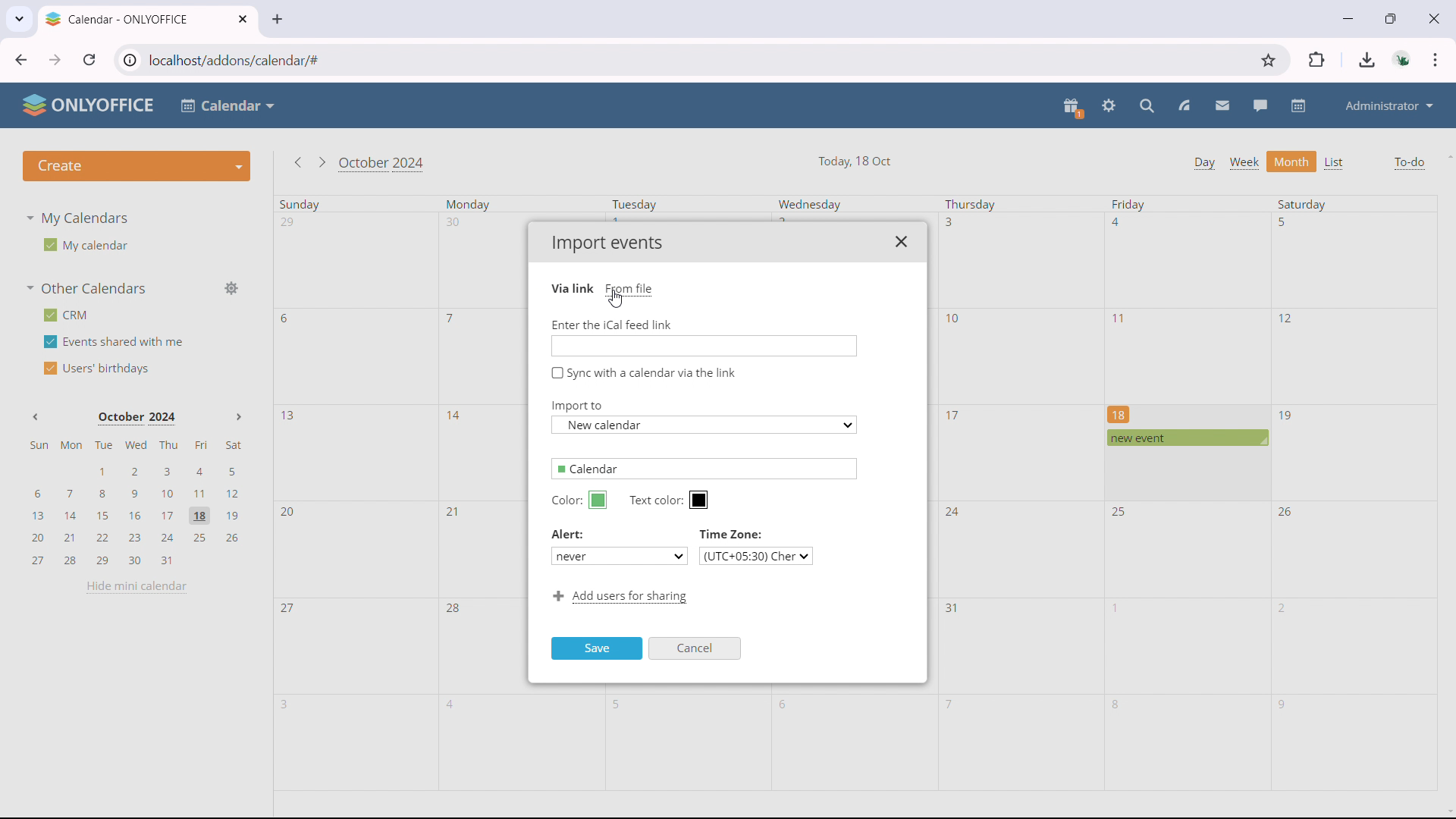 Image resolution: width=1456 pixels, height=819 pixels. What do you see at coordinates (716, 425) in the screenshot?
I see `New calendar` at bounding box center [716, 425].